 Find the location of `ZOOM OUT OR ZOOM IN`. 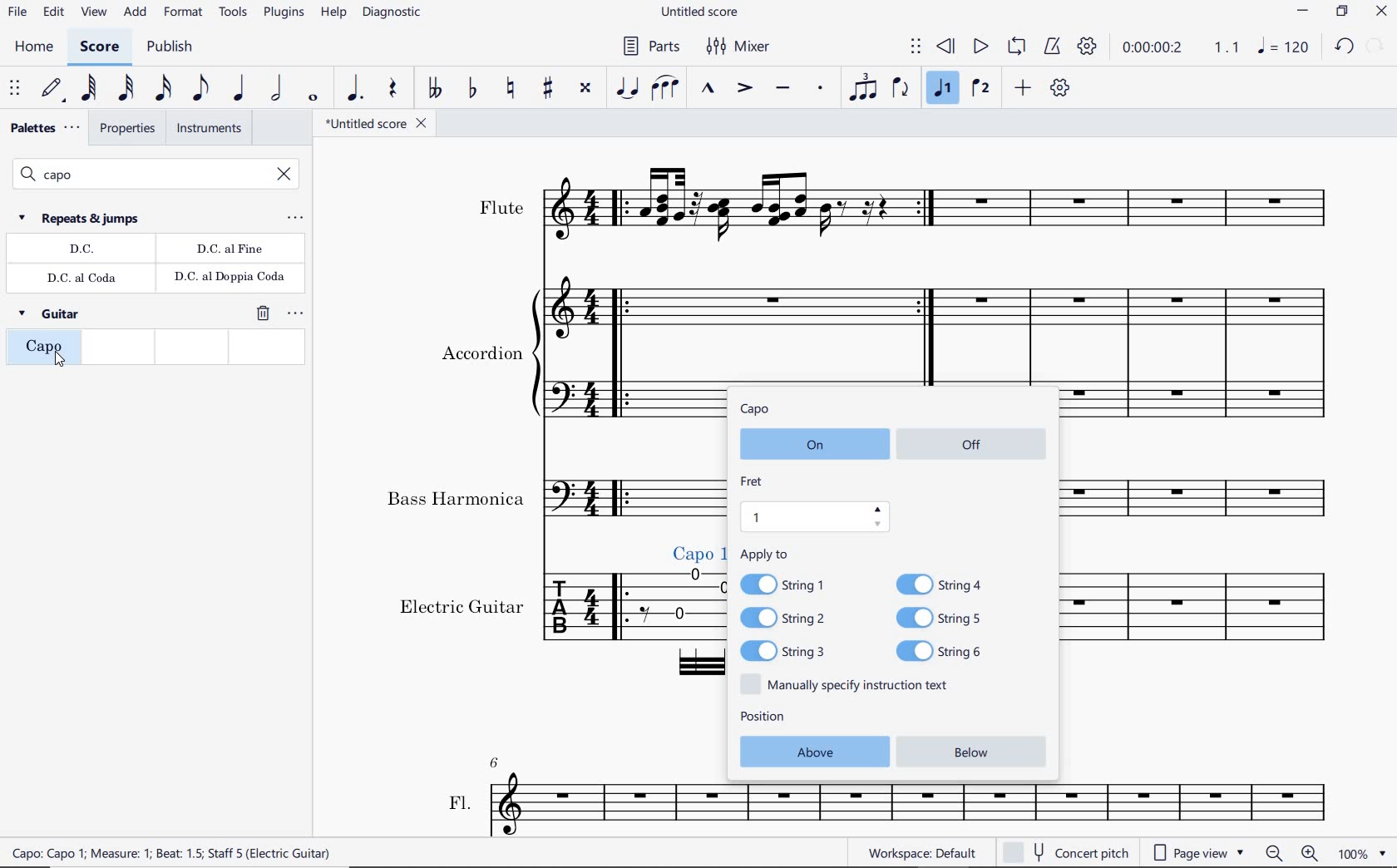

ZOOM OUT OR ZOOM IN is located at coordinates (1291, 852).